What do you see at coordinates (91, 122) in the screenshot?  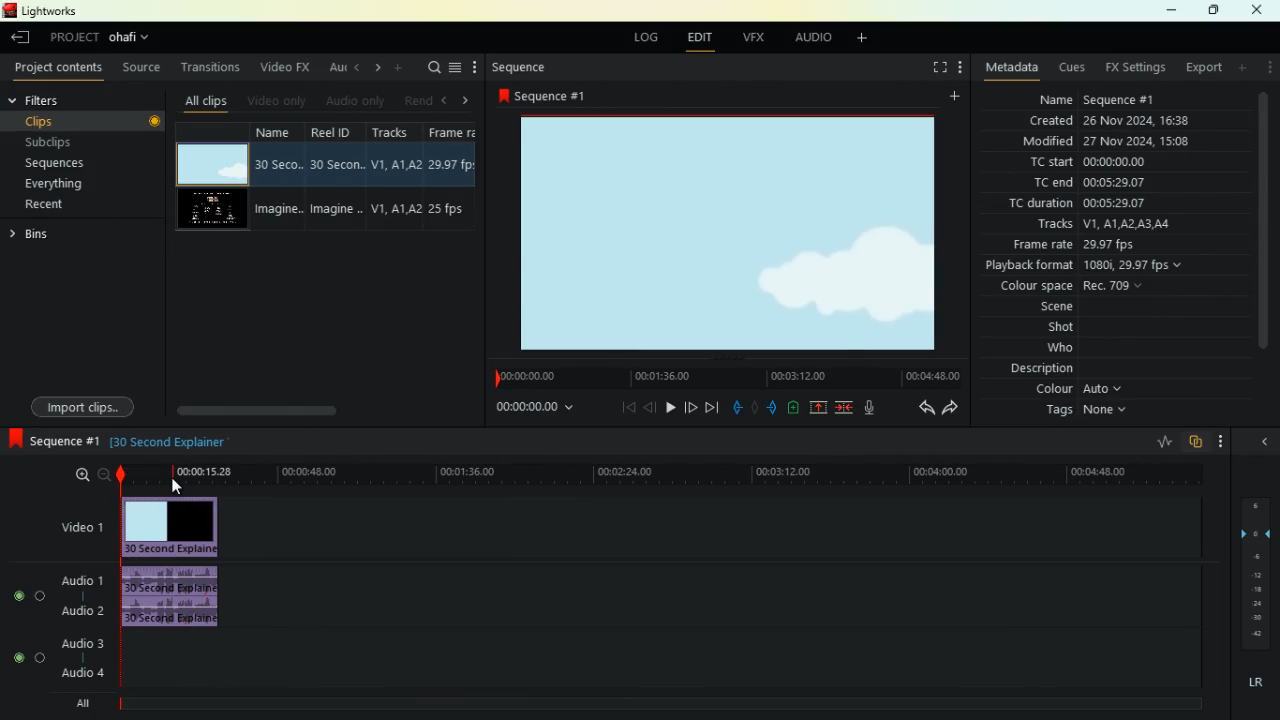 I see `clips` at bounding box center [91, 122].